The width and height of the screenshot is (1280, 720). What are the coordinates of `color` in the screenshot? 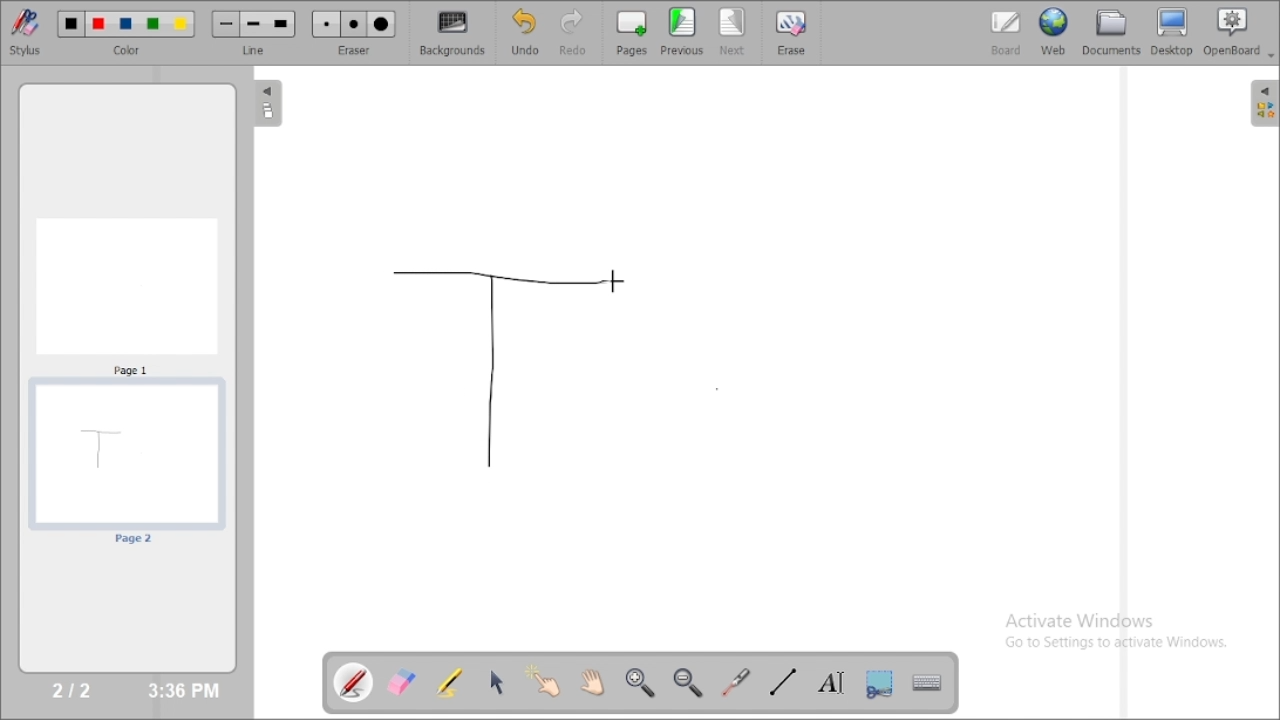 It's located at (130, 51).